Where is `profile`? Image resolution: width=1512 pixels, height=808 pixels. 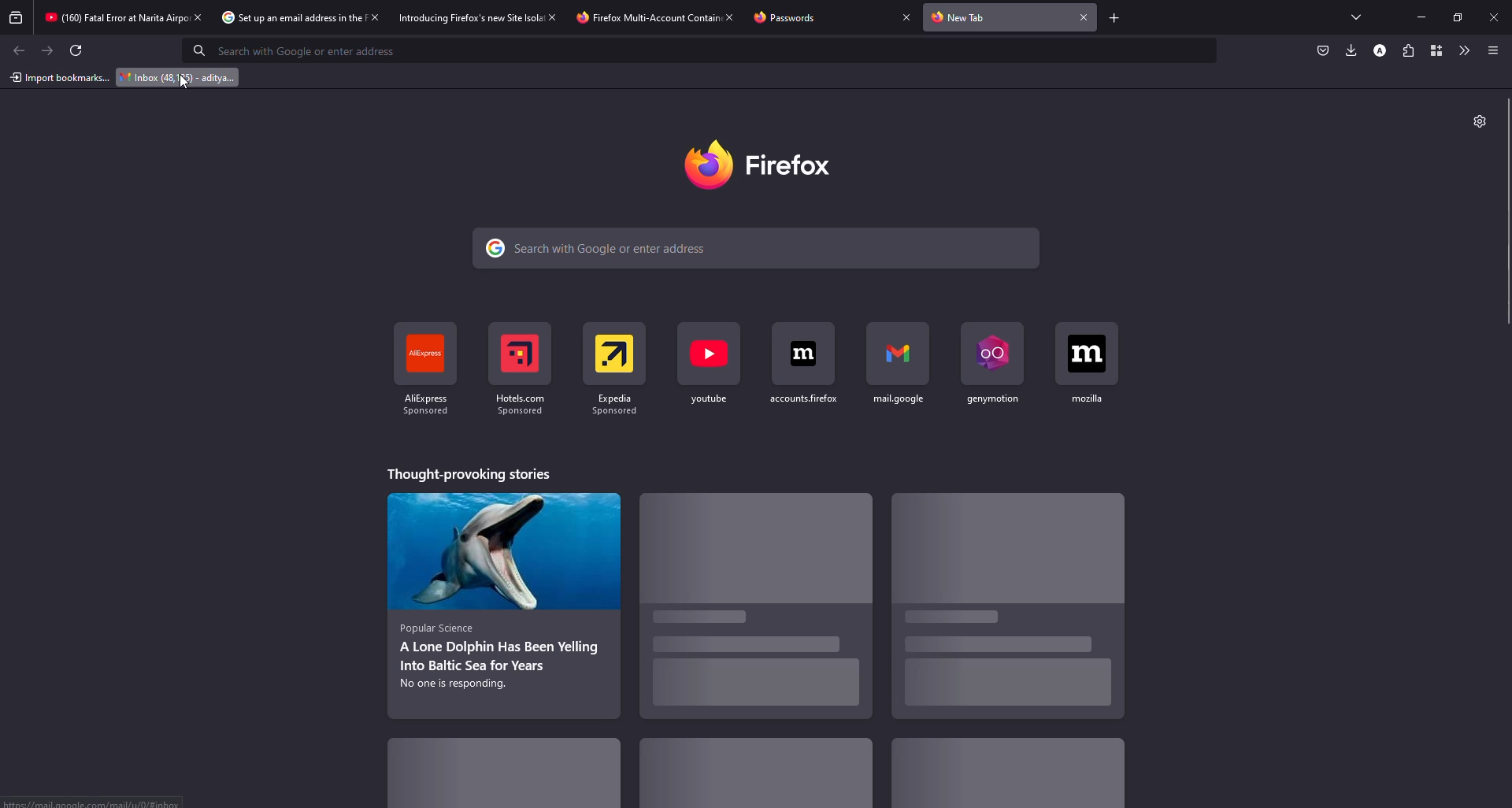
profile is located at coordinates (1378, 50).